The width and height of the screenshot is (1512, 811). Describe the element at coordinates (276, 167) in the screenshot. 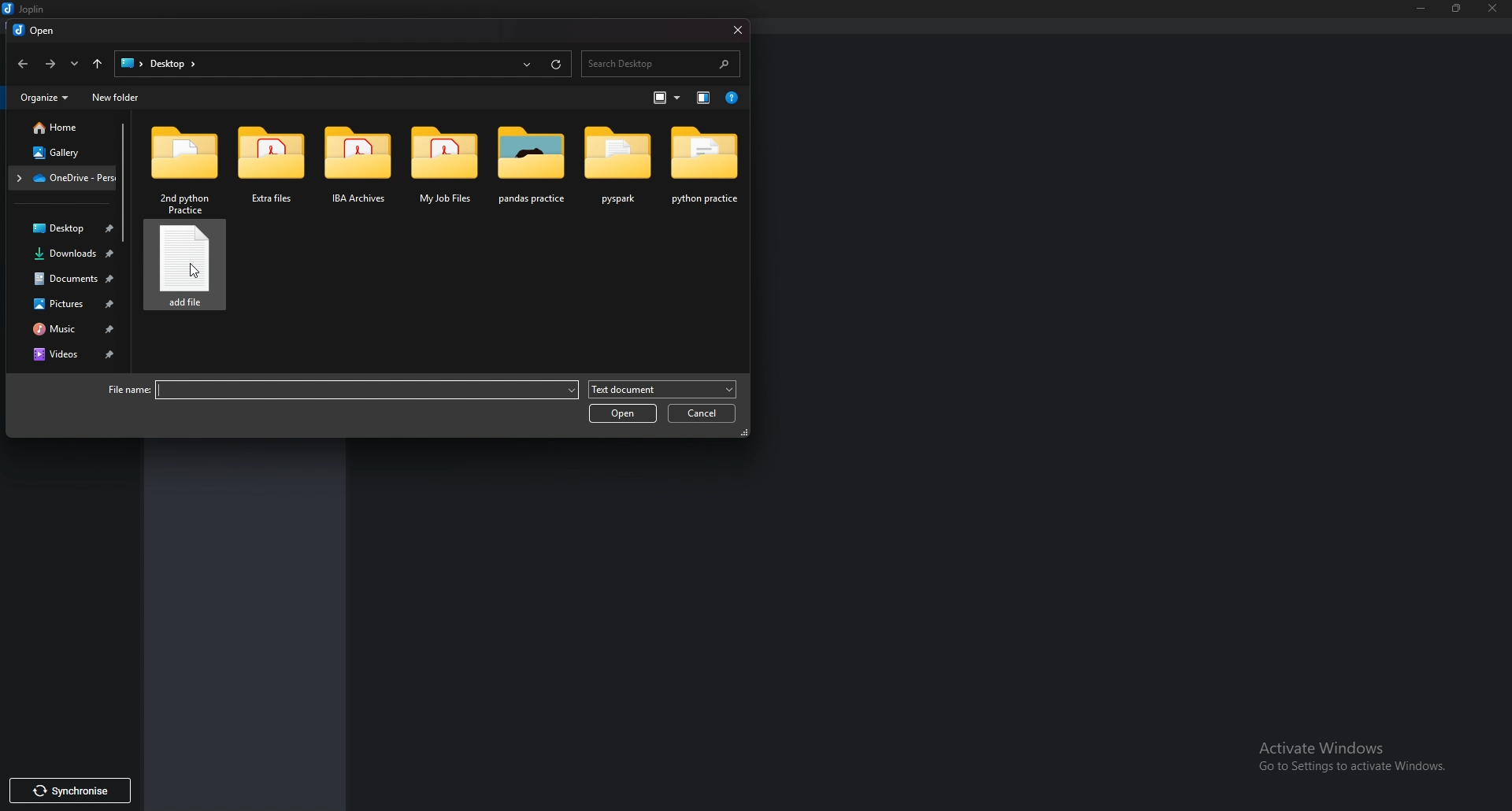

I see `Folder` at that location.